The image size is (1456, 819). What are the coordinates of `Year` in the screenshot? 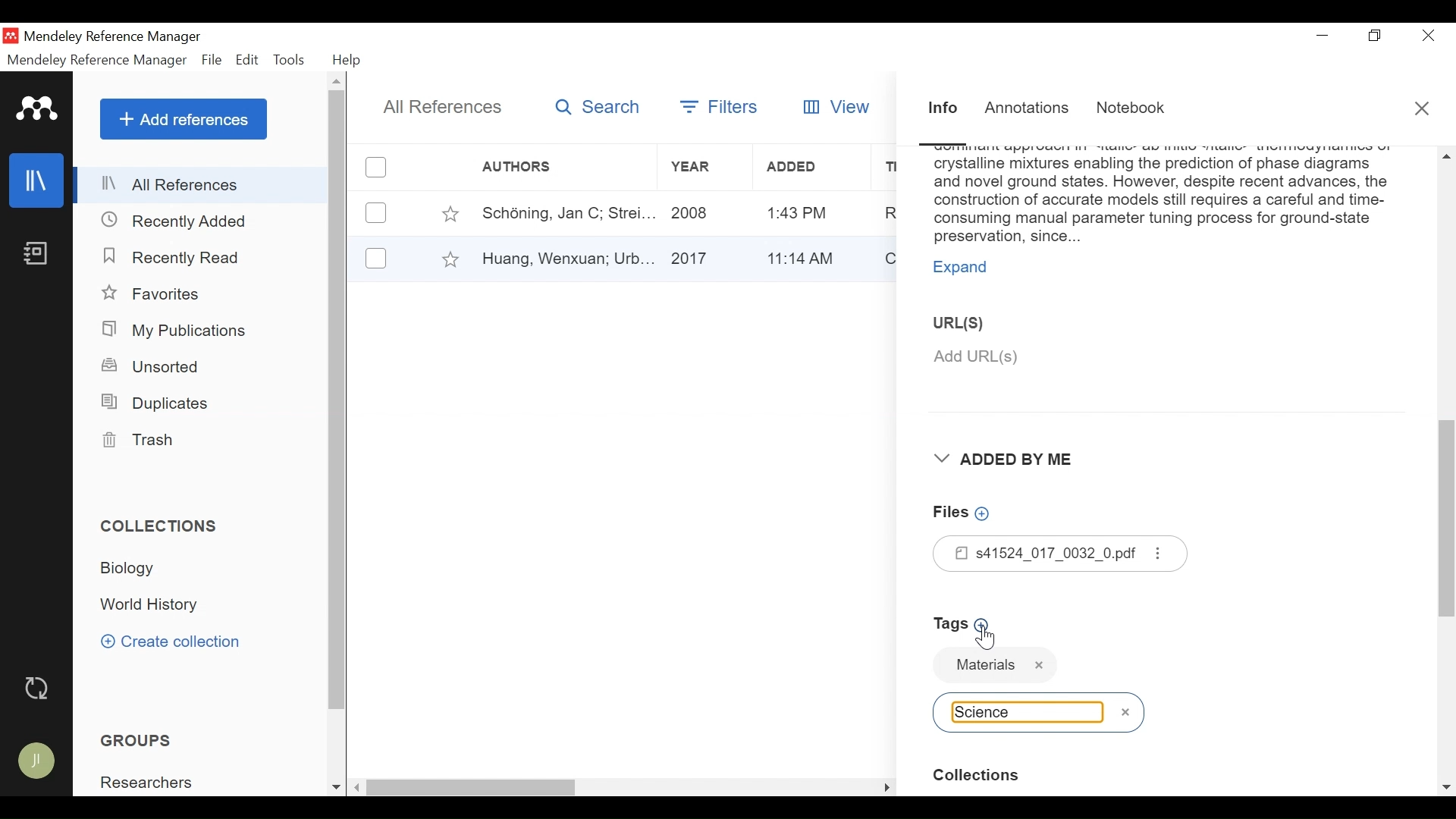 It's located at (700, 167).